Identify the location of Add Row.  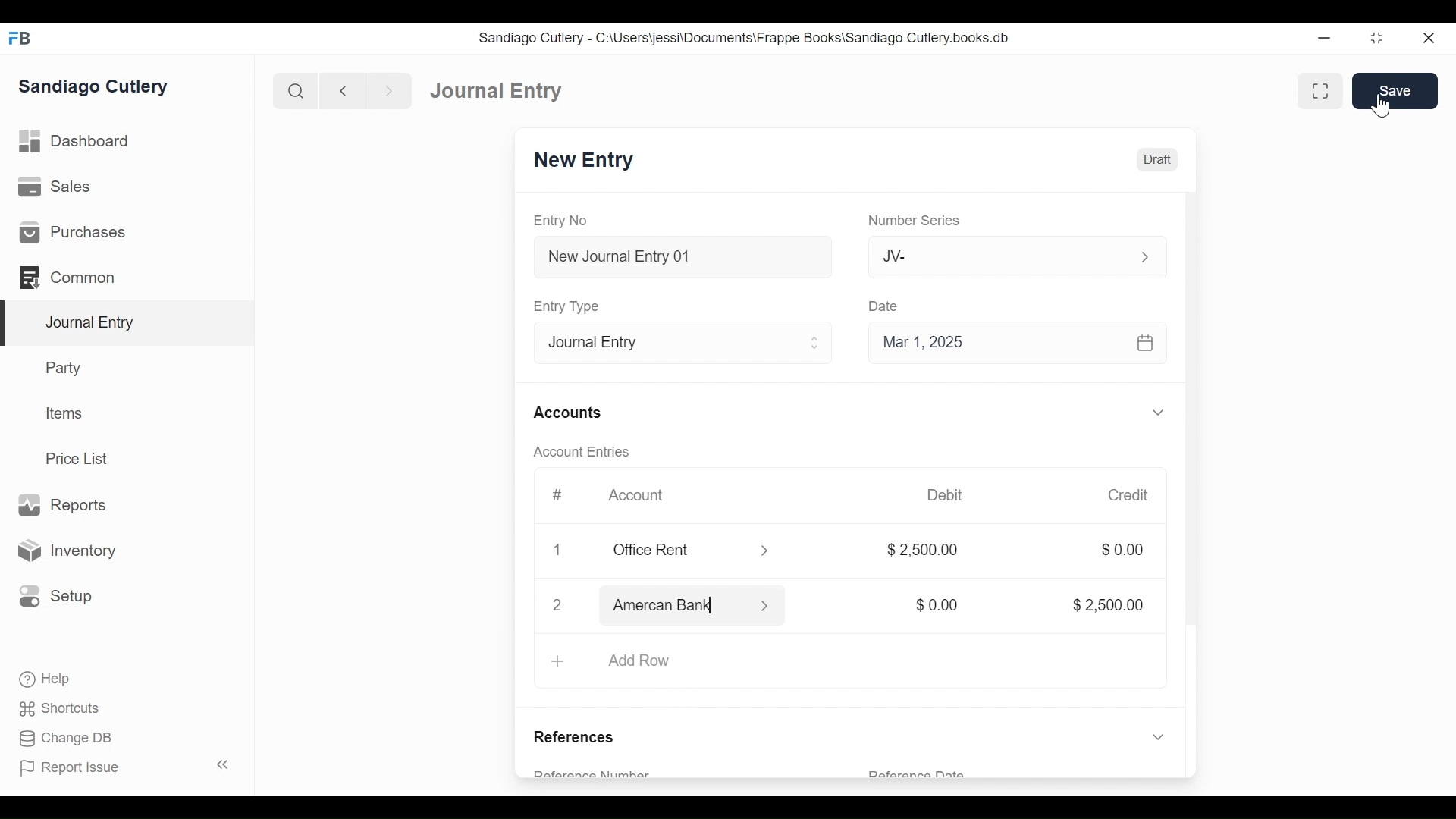
(849, 663).